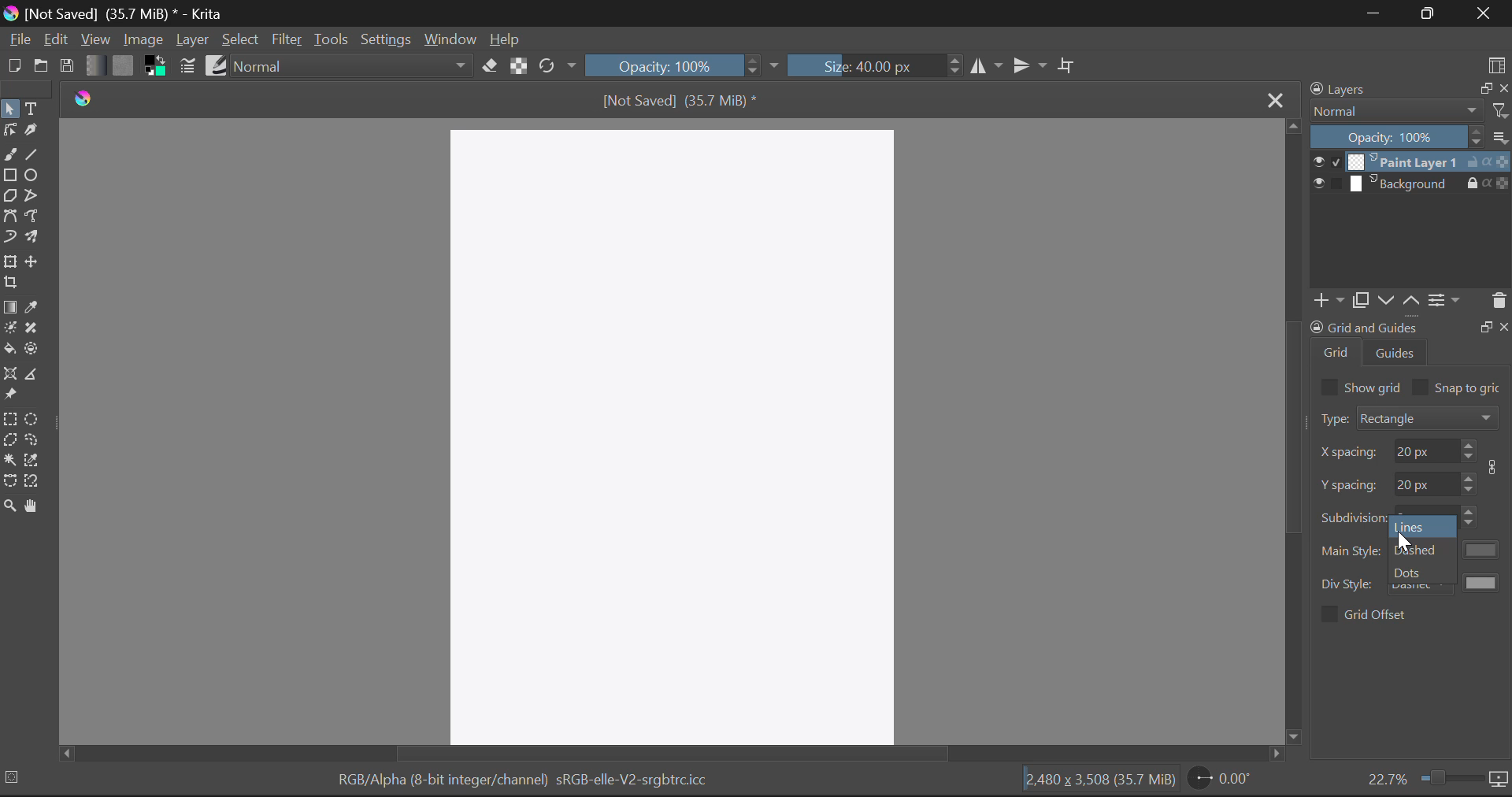 The height and width of the screenshot is (797, 1512). What do you see at coordinates (10, 283) in the screenshot?
I see `Crop` at bounding box center [10, 283].